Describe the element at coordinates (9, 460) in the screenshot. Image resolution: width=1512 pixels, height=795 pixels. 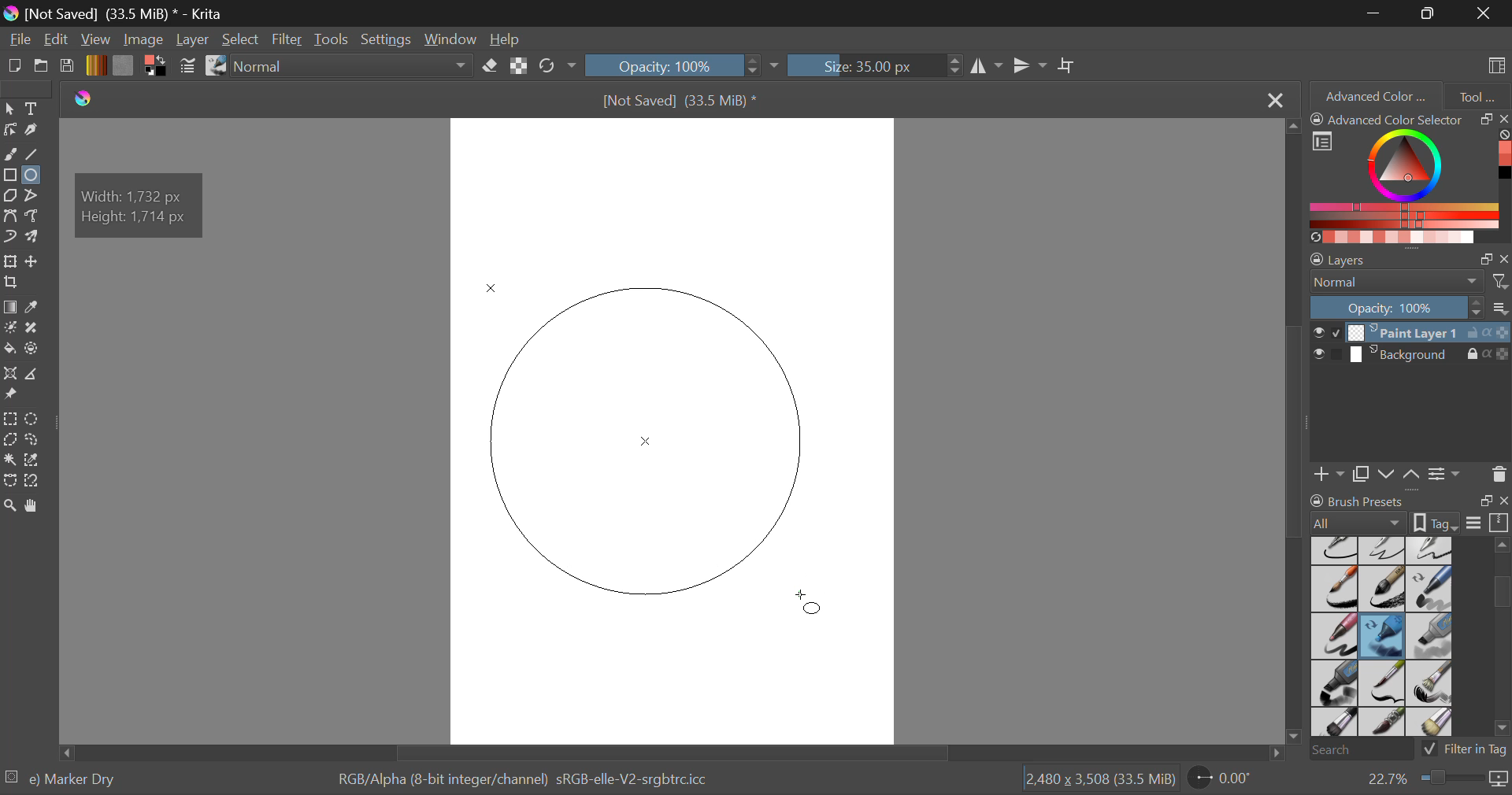
I see `Continuous Selection` at that location.